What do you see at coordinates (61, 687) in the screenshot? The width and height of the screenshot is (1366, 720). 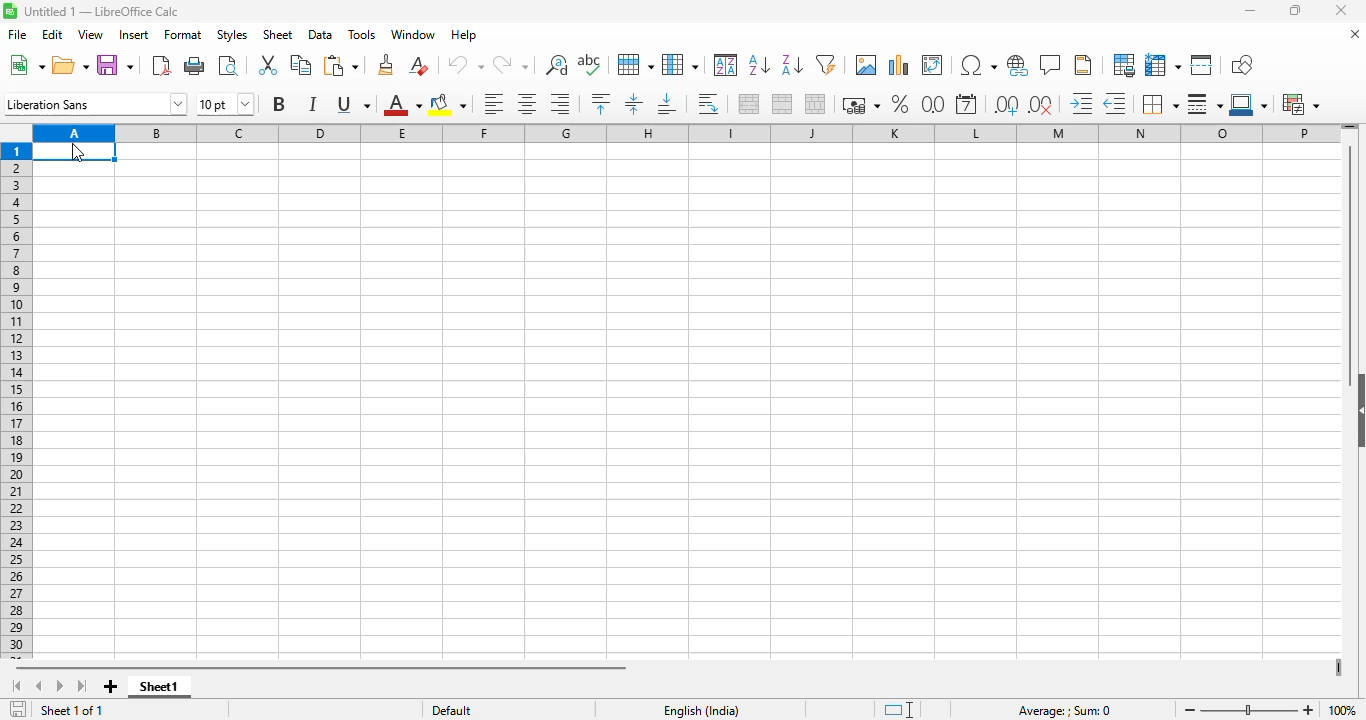 I see `scroll to next page` at bounding box center [61, 687].